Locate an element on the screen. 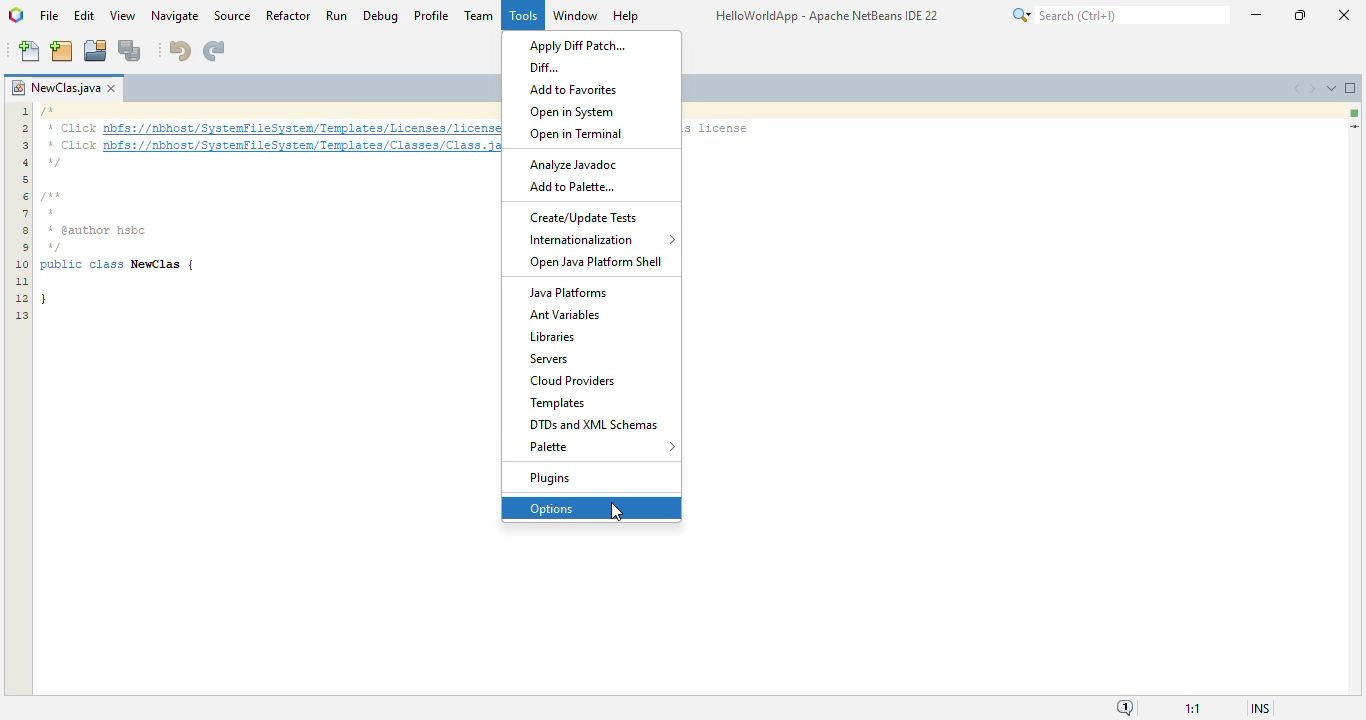 Image resolution: width=1366 pixels, height=720 pixels. open in system is located at coordinates (572, 112).